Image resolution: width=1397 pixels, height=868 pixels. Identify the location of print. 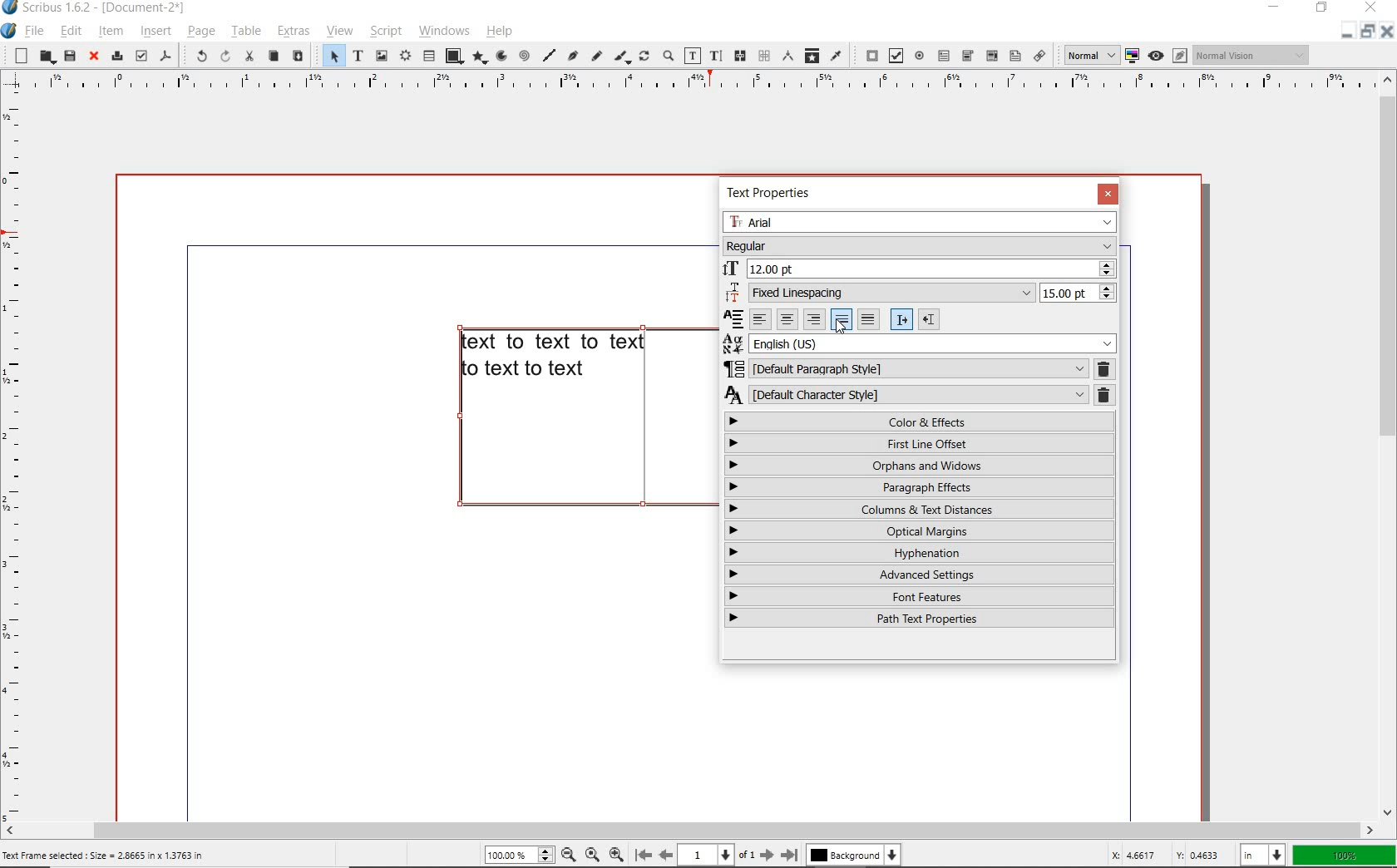
(116, 57).